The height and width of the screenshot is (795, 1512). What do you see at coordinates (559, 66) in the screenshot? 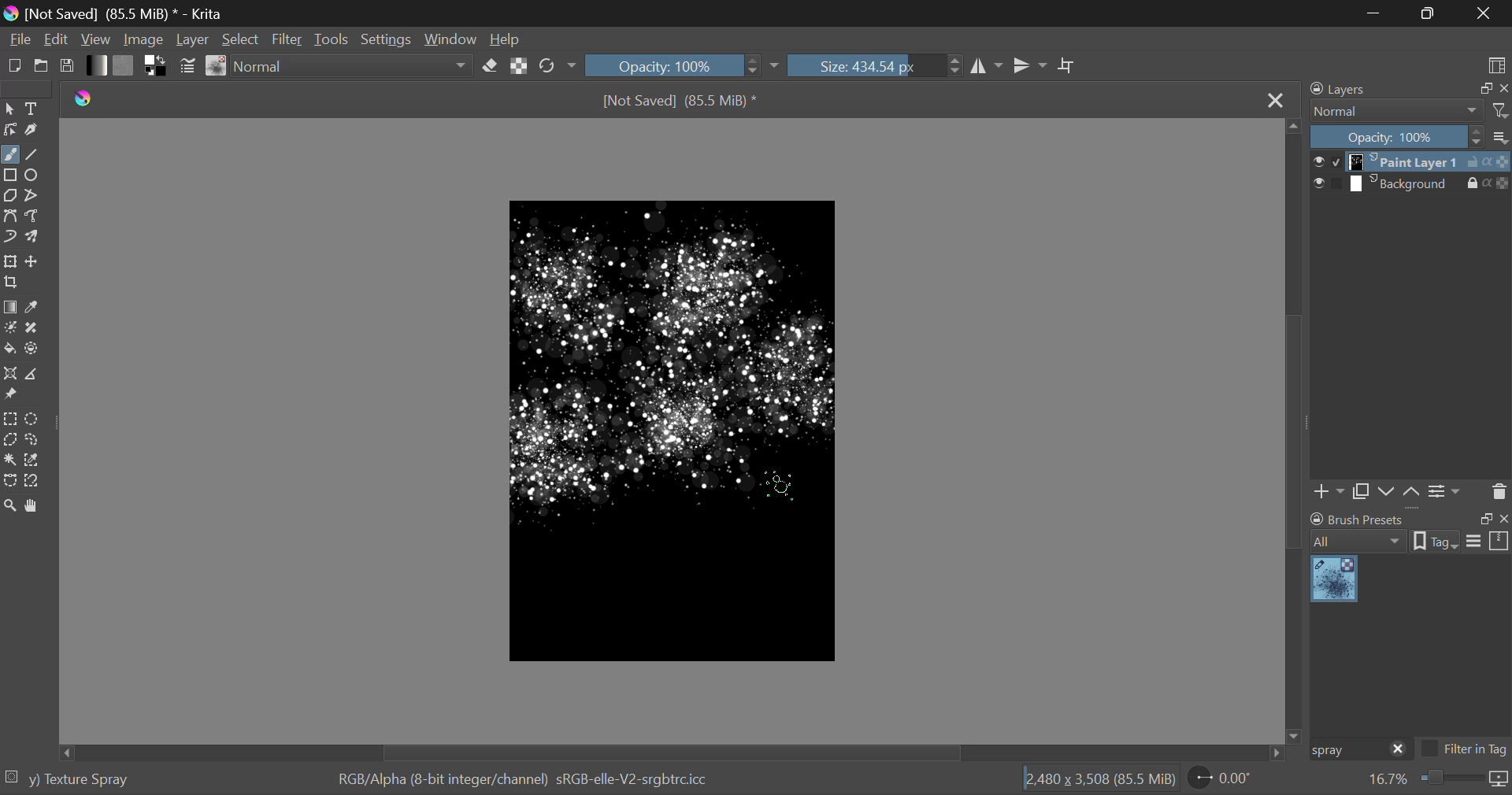
I see `Rotate` at bounding box center [559, 66].